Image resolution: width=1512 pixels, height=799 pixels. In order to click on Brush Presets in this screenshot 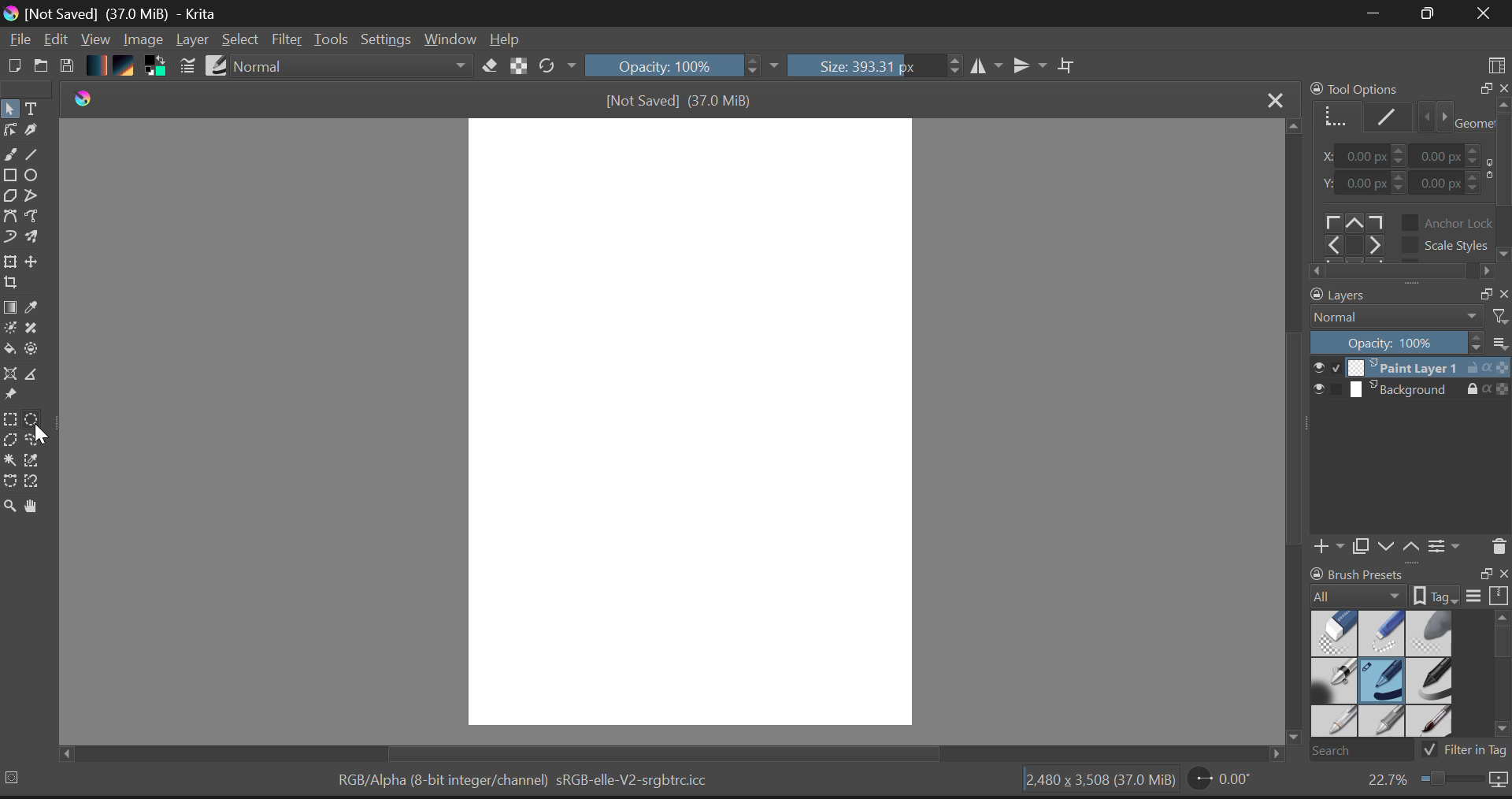, I will do `click(218, 65)`.